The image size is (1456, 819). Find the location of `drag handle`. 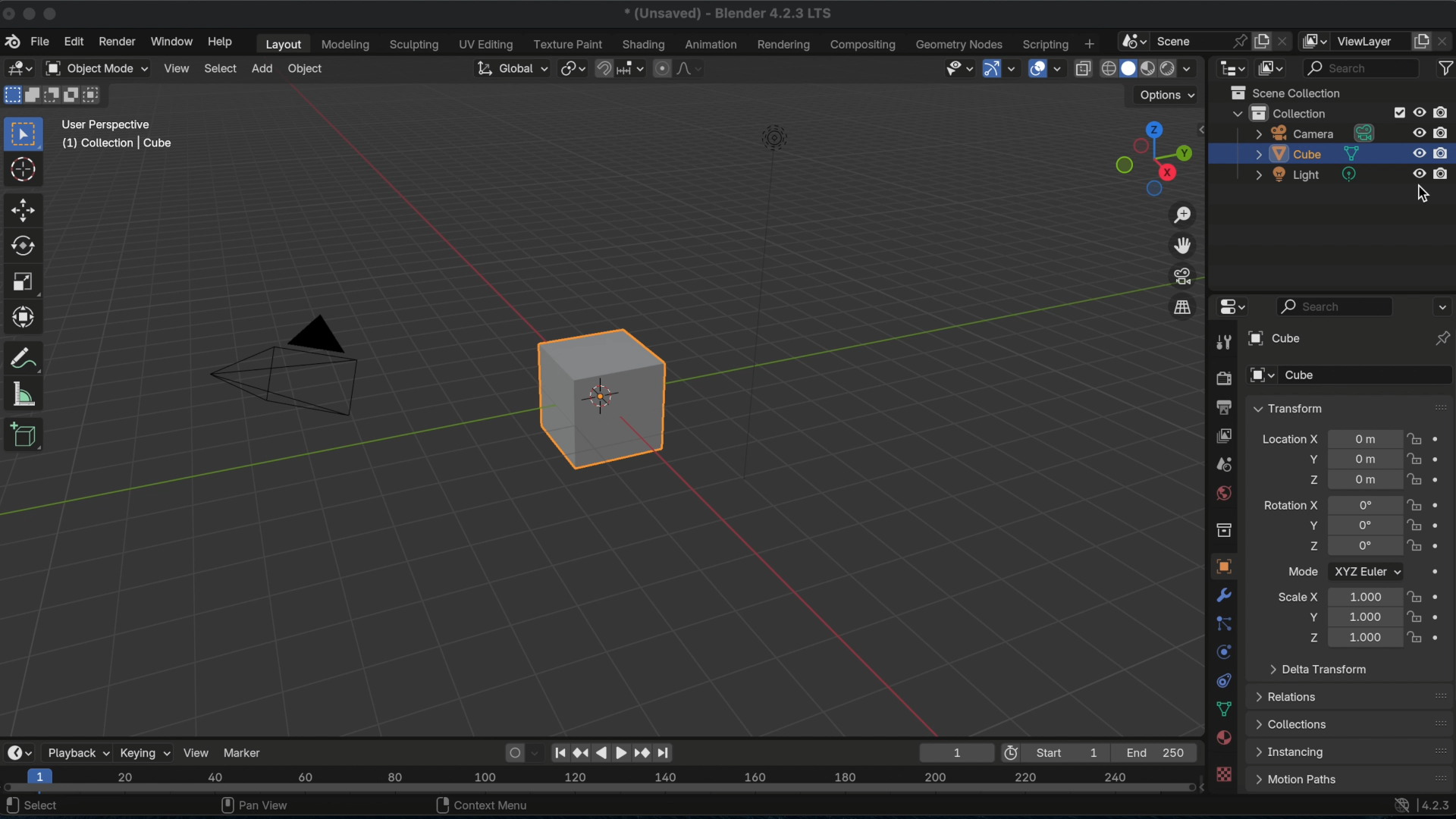

drag handle is located at coordinates (1438, 695).